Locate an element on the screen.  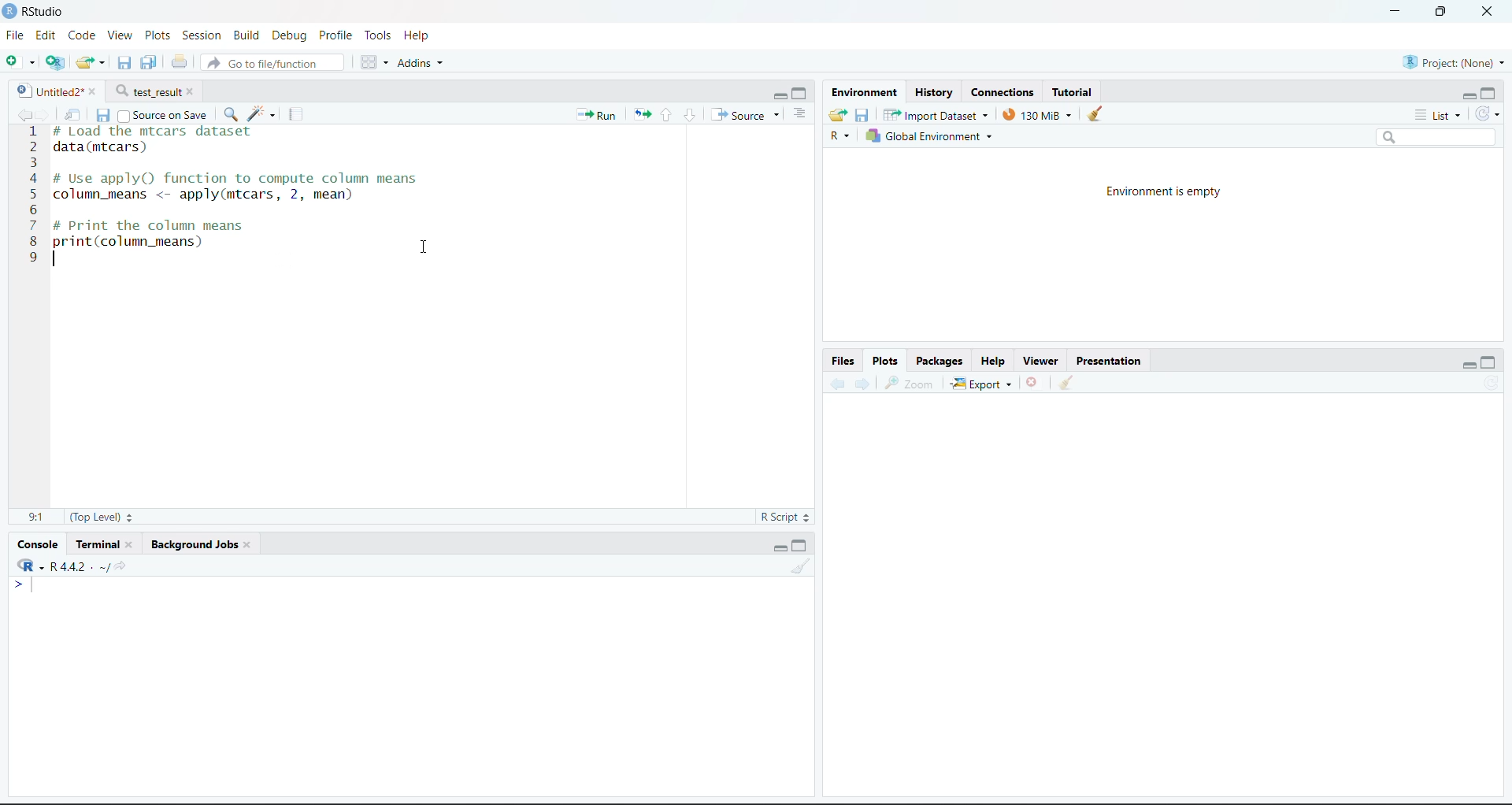
Console is located at coordinates (39, 545).